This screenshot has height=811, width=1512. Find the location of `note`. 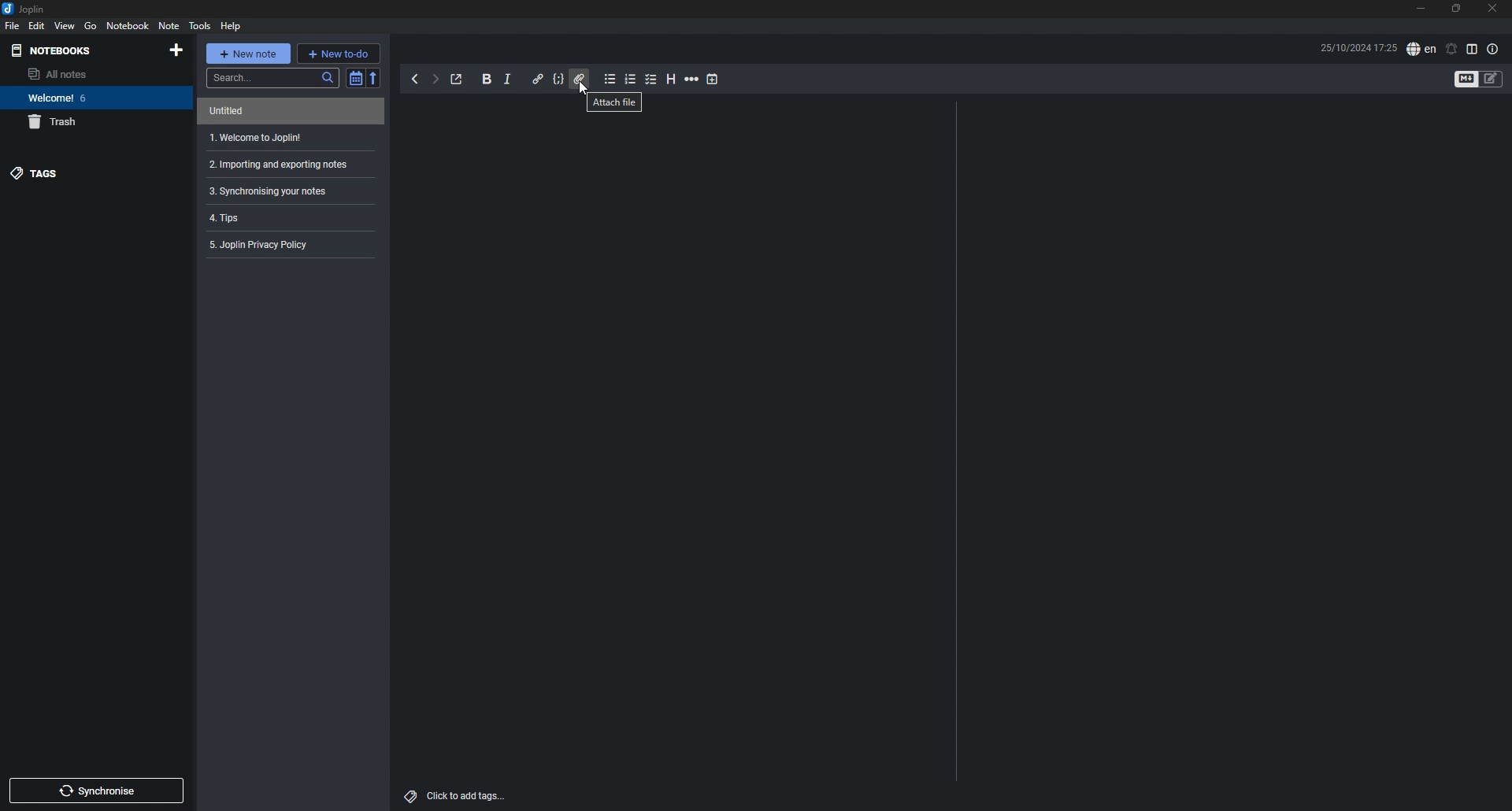

note is located at coordinates (284, 111).